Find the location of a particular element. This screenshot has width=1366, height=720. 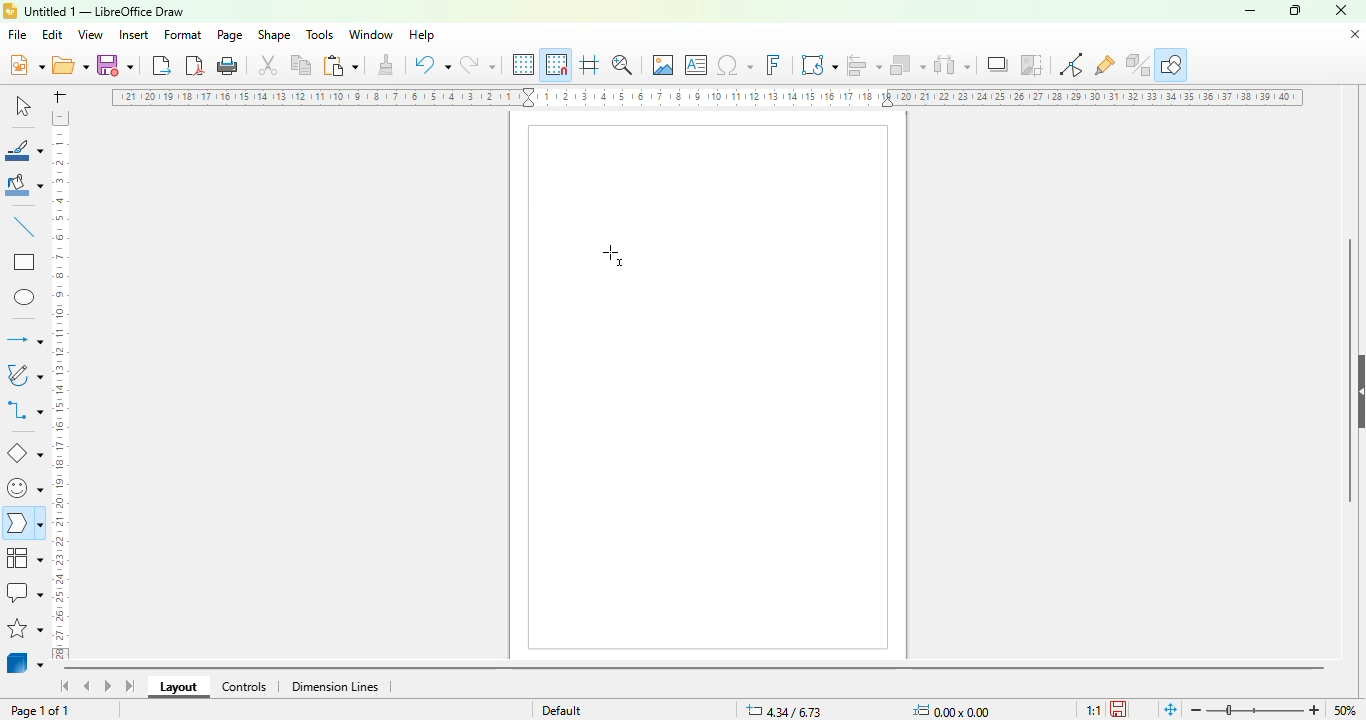

export is located at coordinates (163, 65).